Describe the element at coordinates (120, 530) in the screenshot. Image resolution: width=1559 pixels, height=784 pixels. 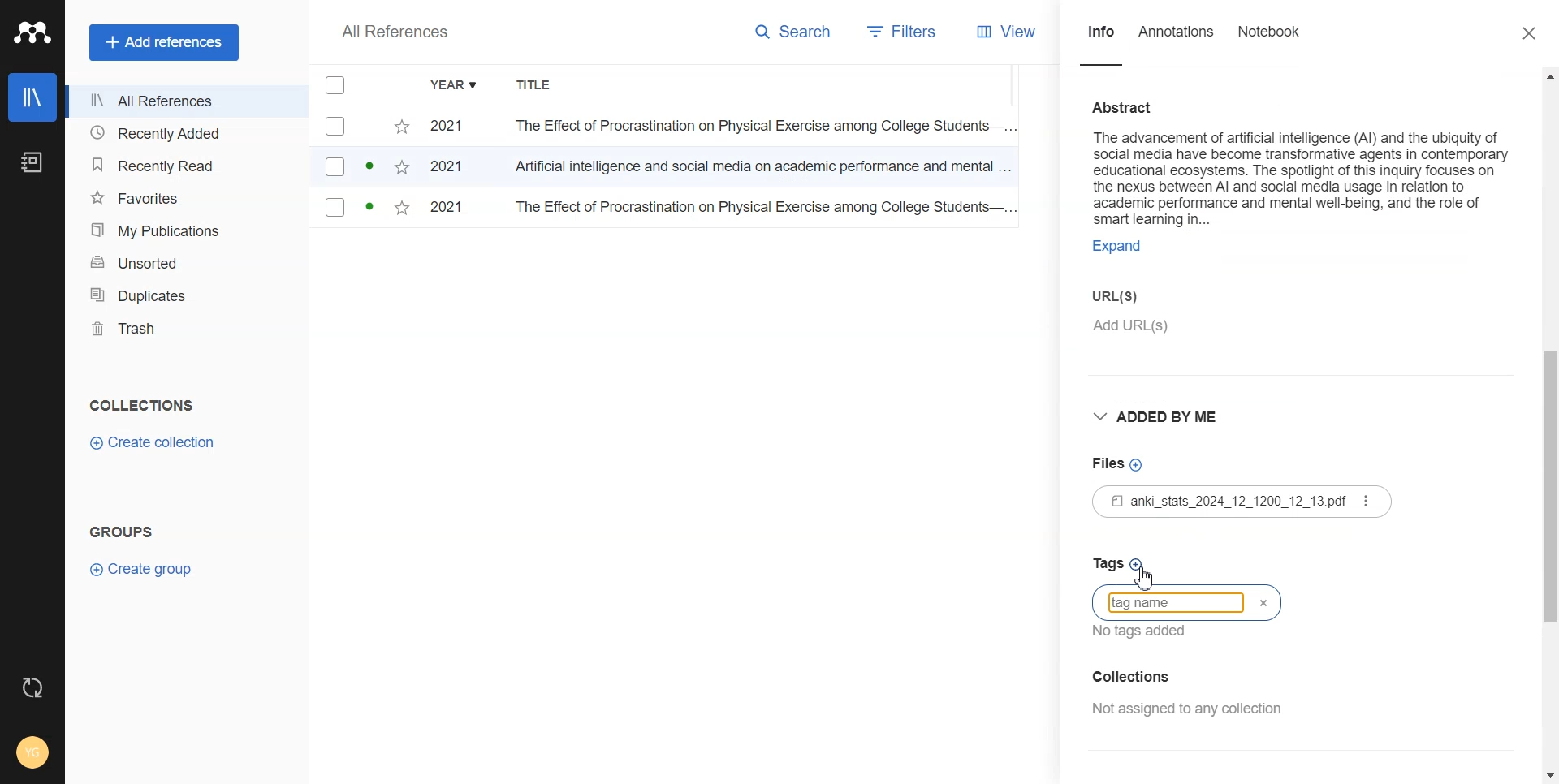
I see `GROUPS` at that location.